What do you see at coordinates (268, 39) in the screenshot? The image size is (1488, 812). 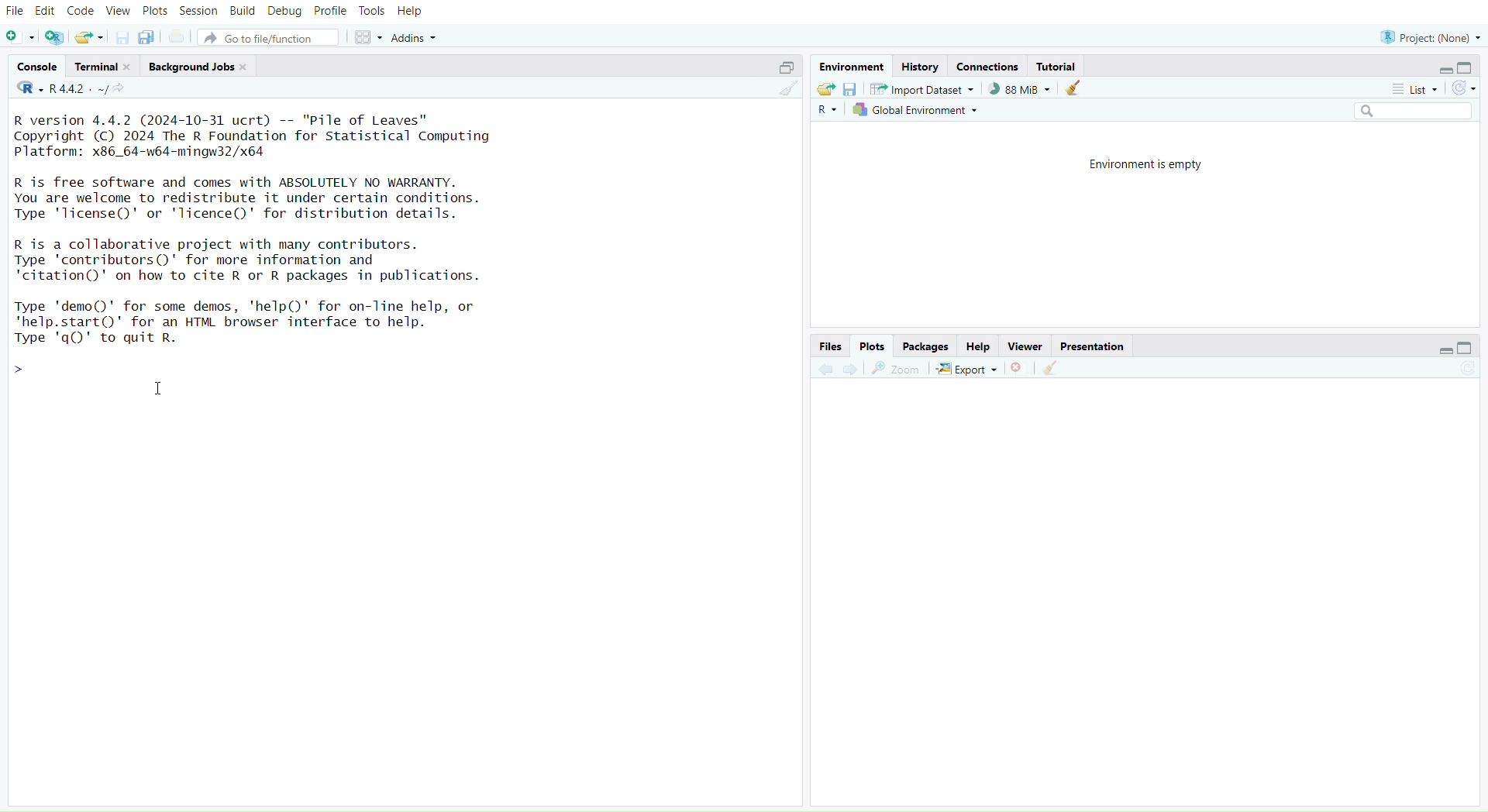 I see `go to file/function` at bounding box center [268, 39].